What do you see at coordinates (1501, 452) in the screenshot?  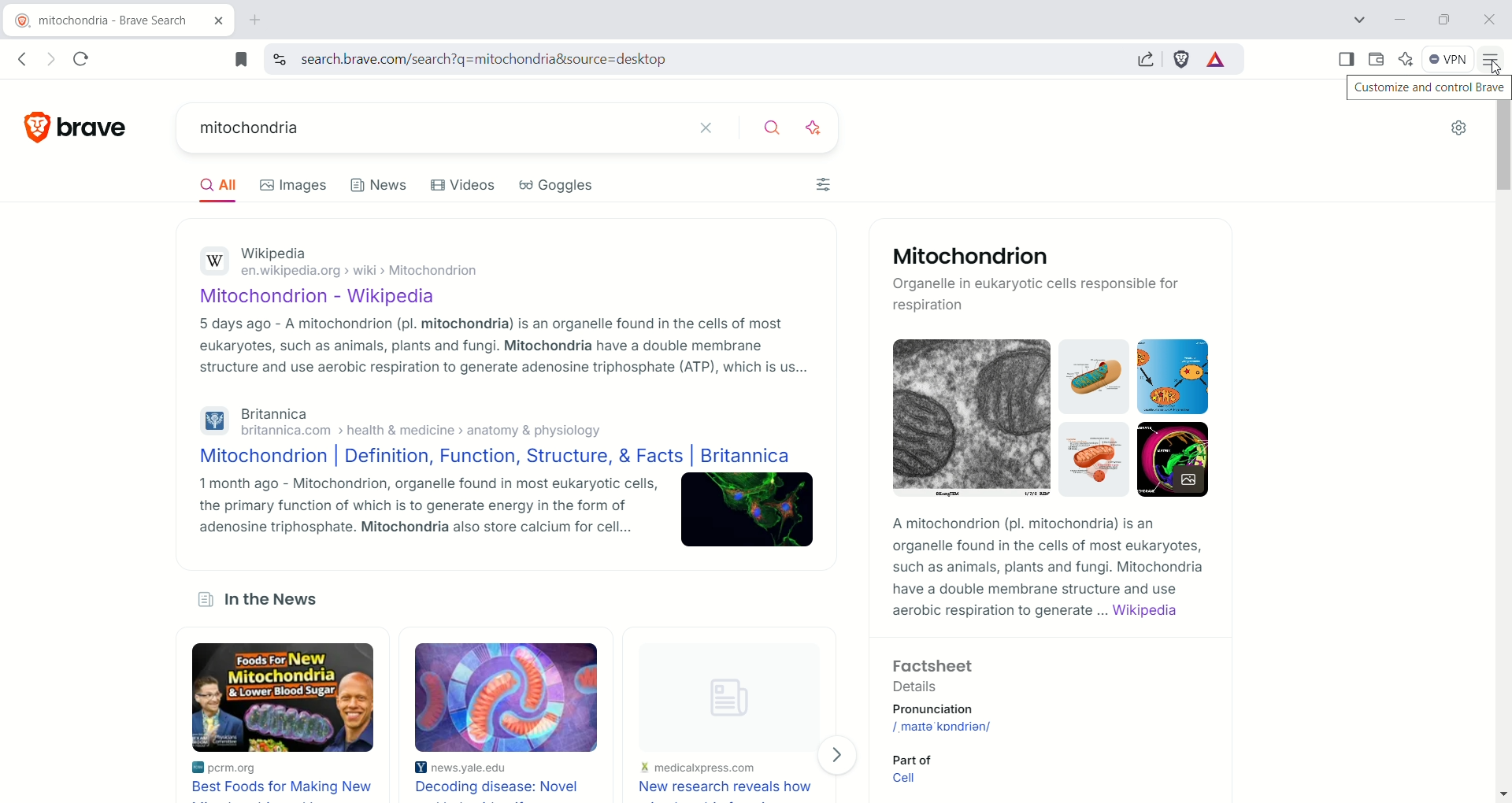 I see `vertical scroll bar` at bounding box center [1501, 452].